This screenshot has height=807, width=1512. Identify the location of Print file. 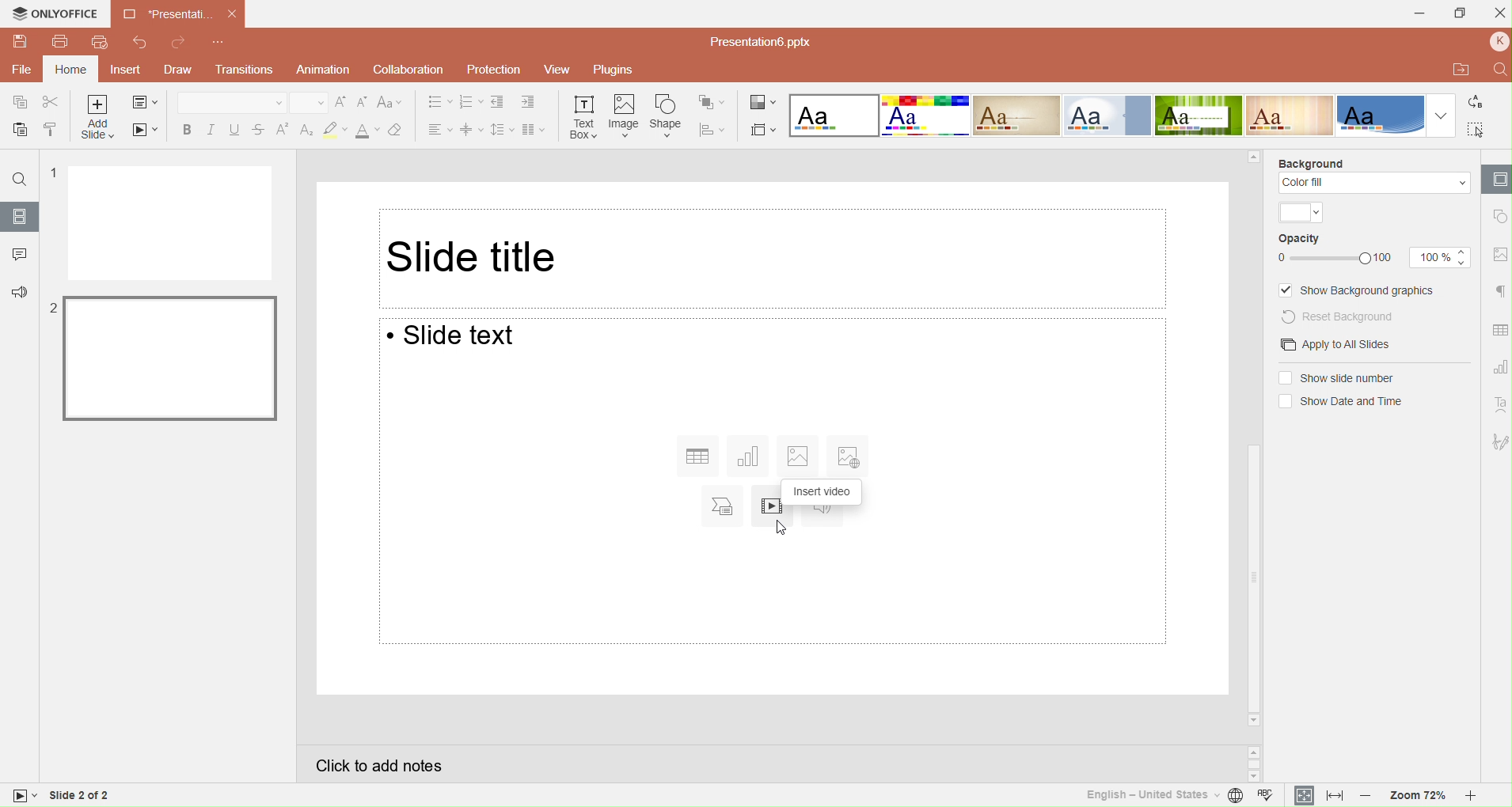
(59, 42).